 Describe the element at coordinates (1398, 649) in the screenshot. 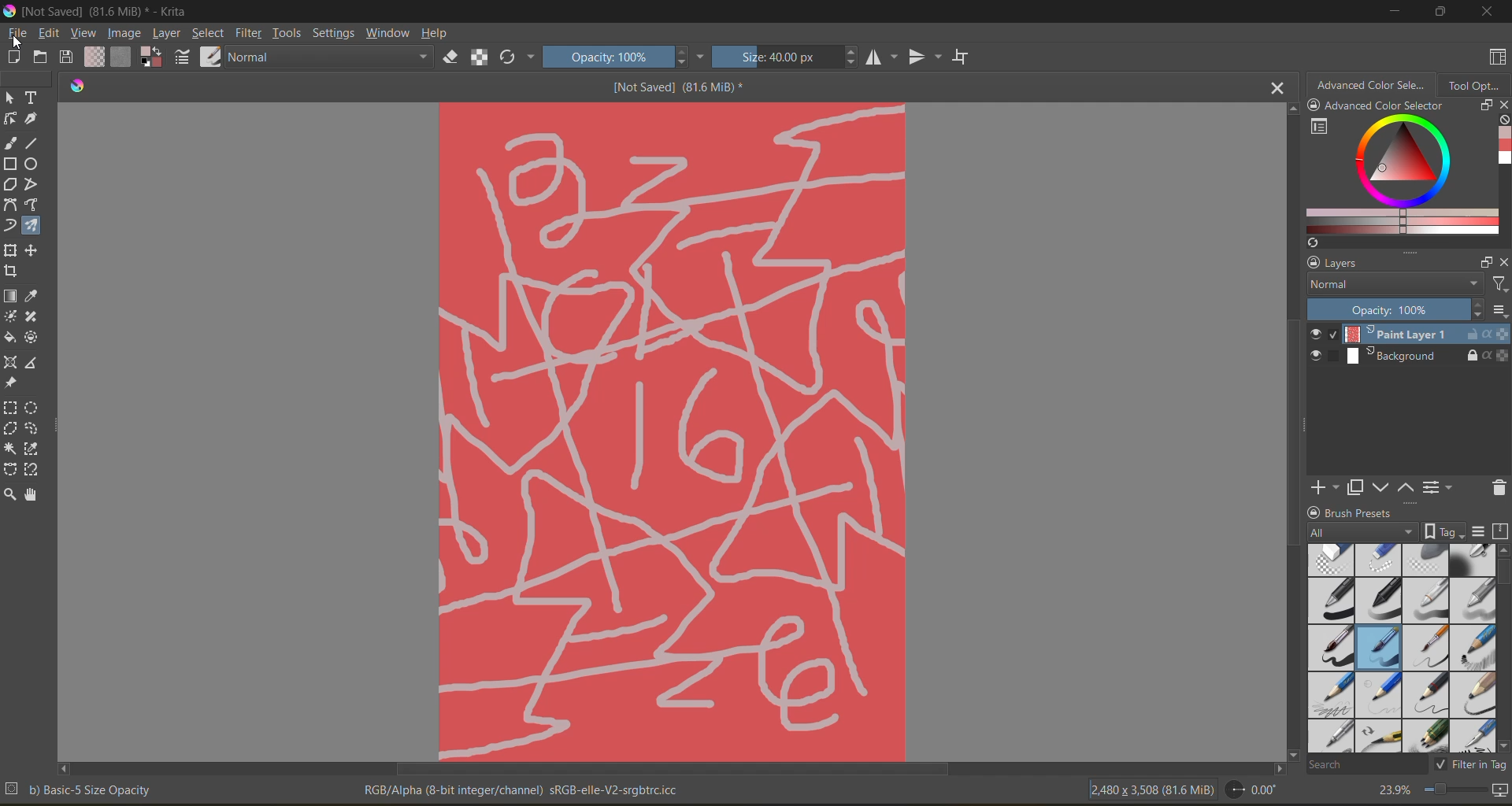

I see `brush presets` at that location.